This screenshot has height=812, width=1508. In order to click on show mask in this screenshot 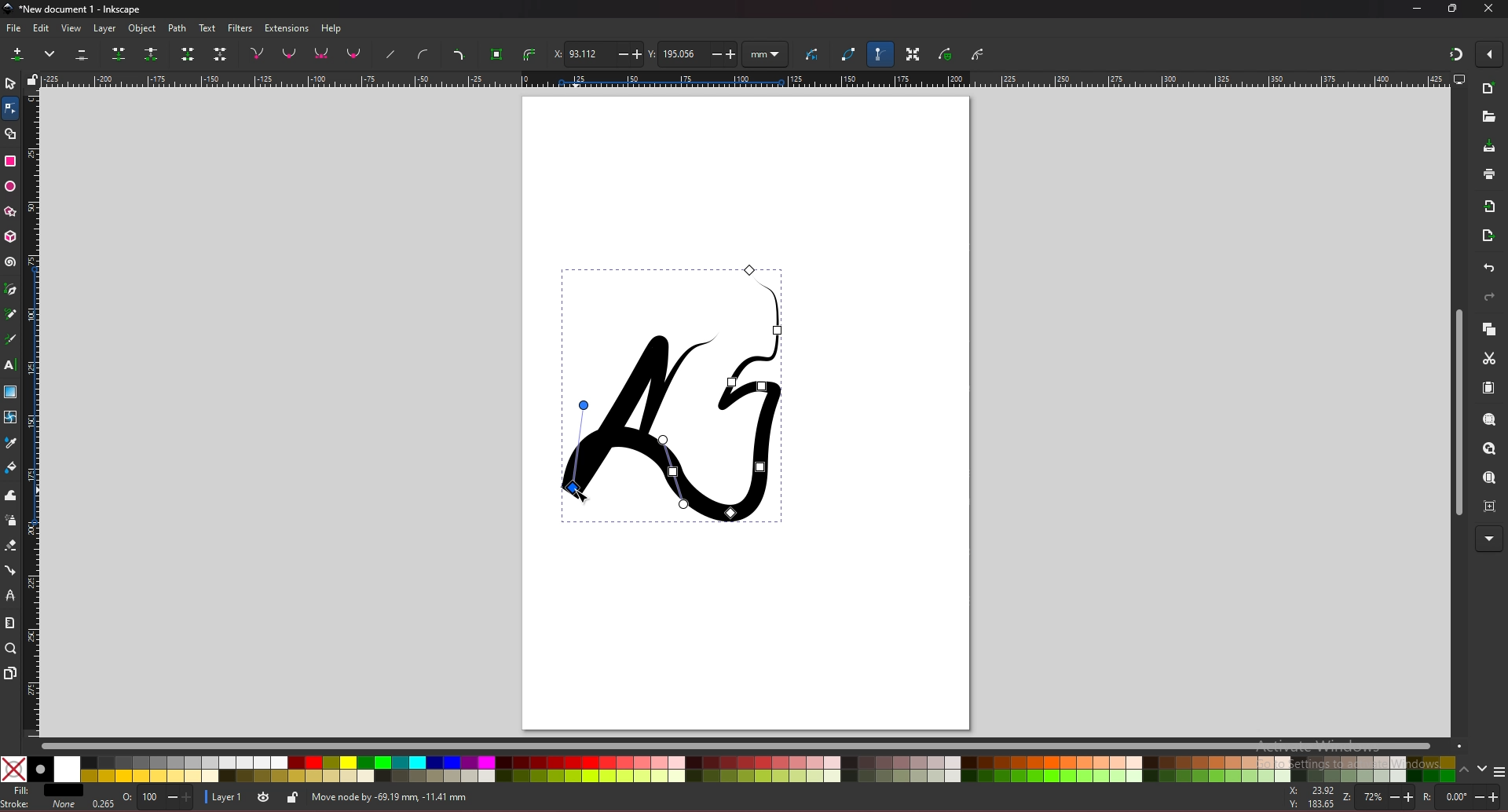, I will do `click(946, 53)`.